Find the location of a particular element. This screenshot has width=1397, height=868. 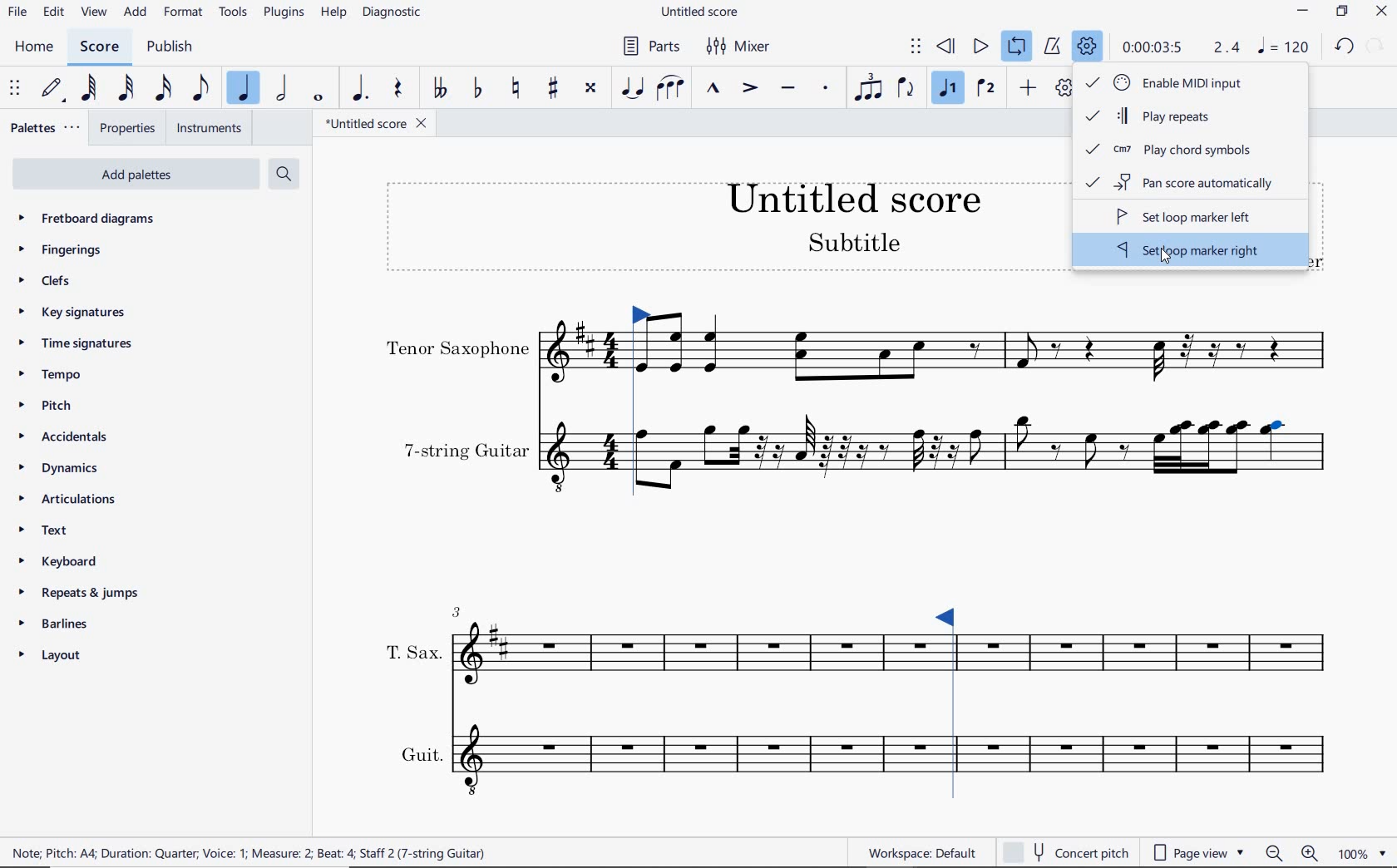

PROPERTIES is located at coordinates (130, 128).